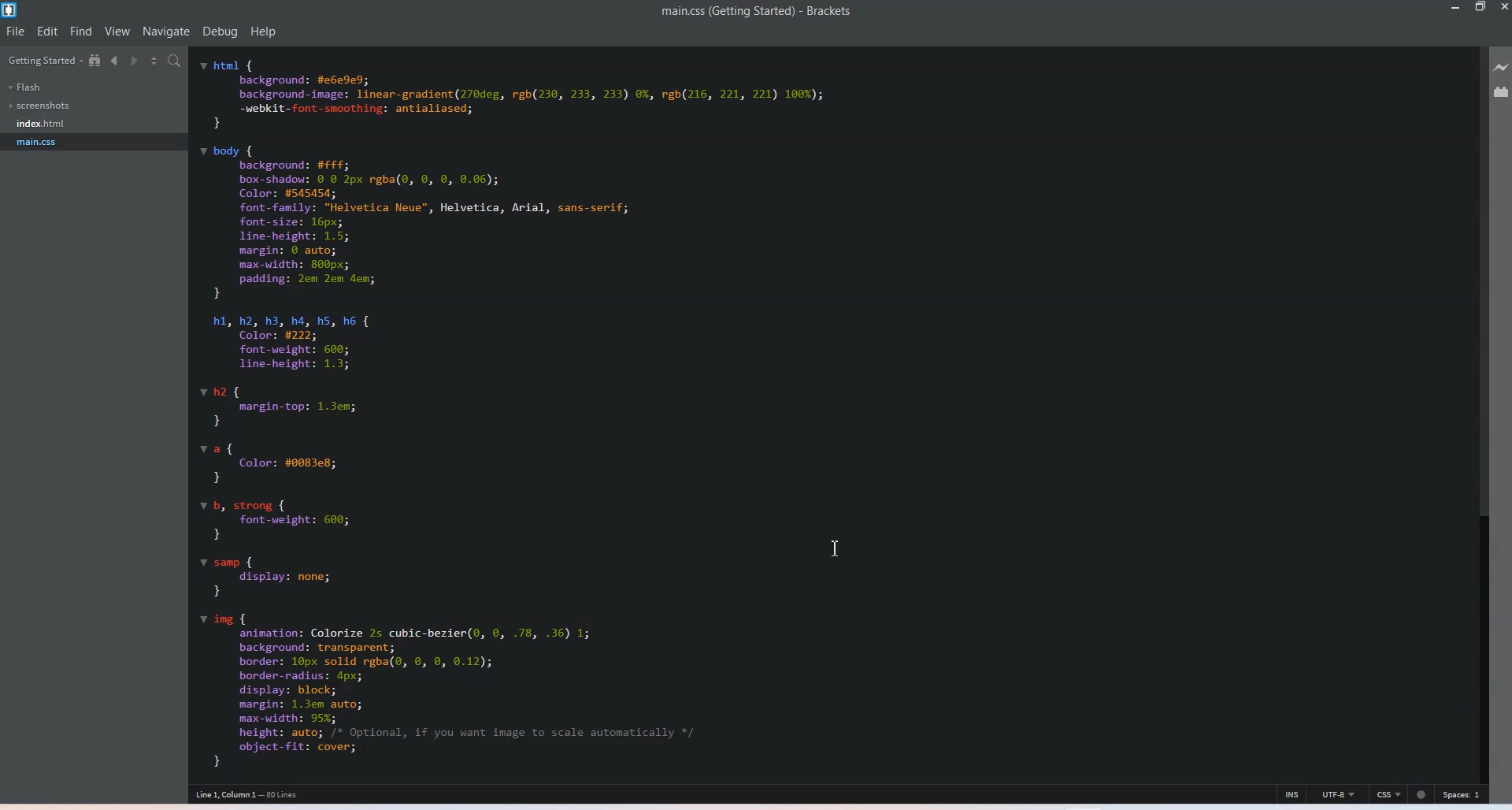 The image size is (1512, 810). I want to click on View in Tree file, so click(96, 61).